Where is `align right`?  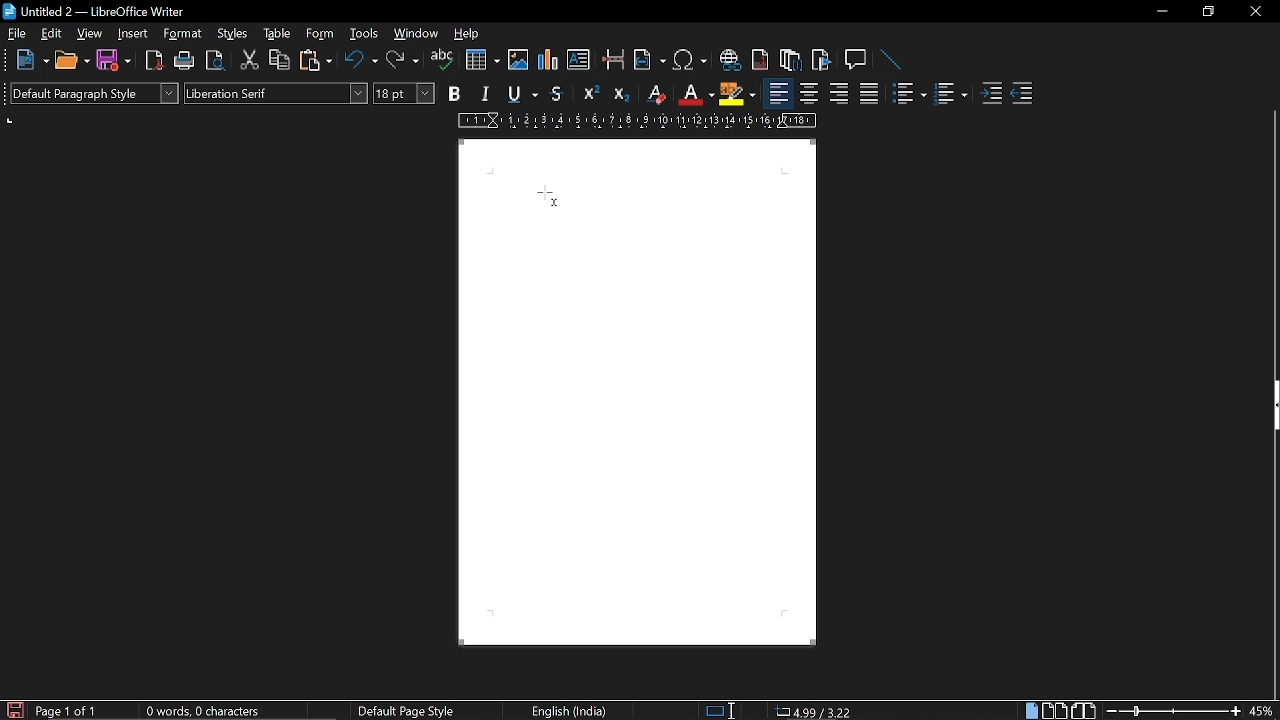
align right is located at coordinates (837, 95).